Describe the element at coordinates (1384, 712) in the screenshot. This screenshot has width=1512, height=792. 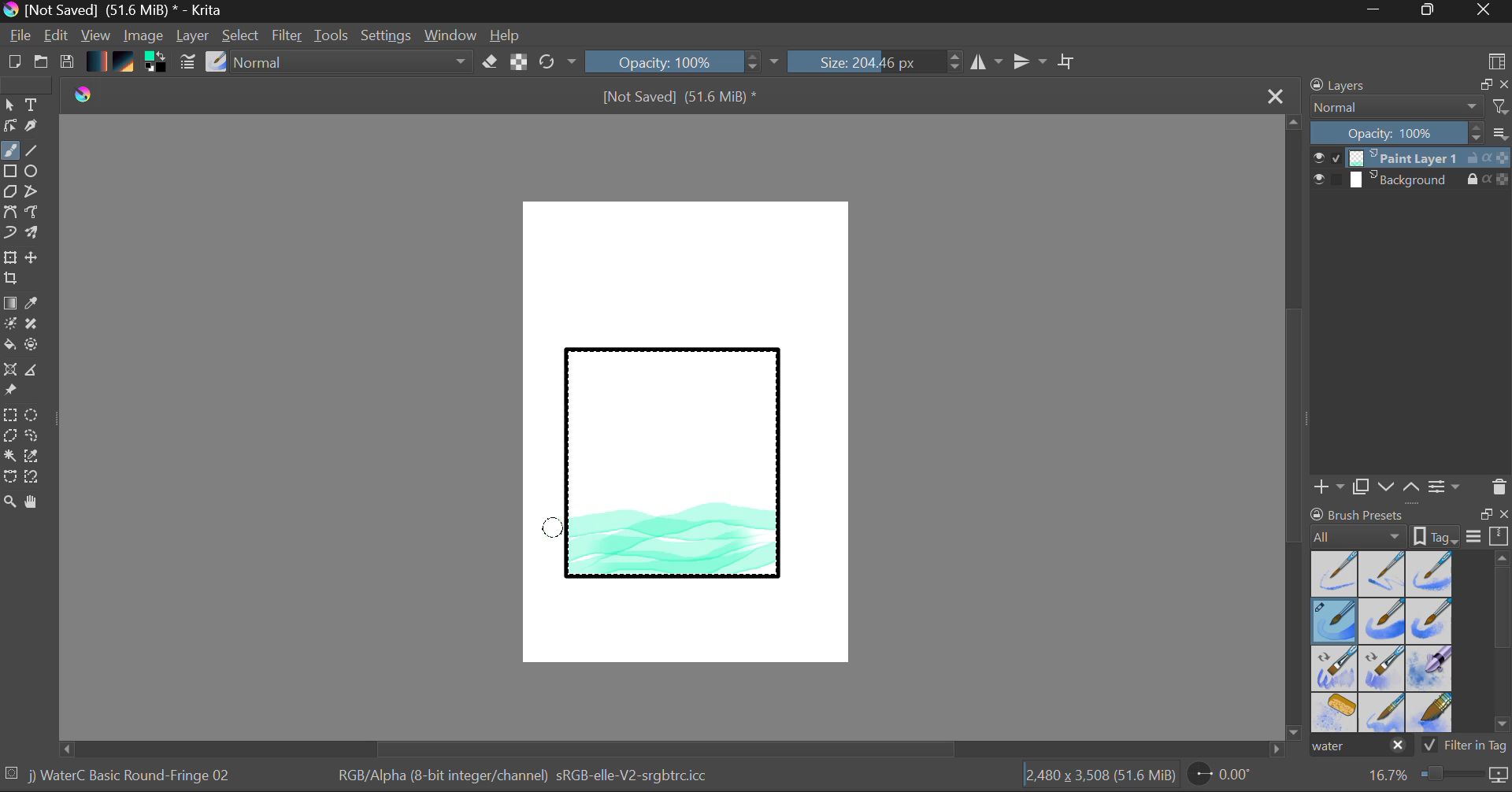
I see `Water C - Spread` at that location.